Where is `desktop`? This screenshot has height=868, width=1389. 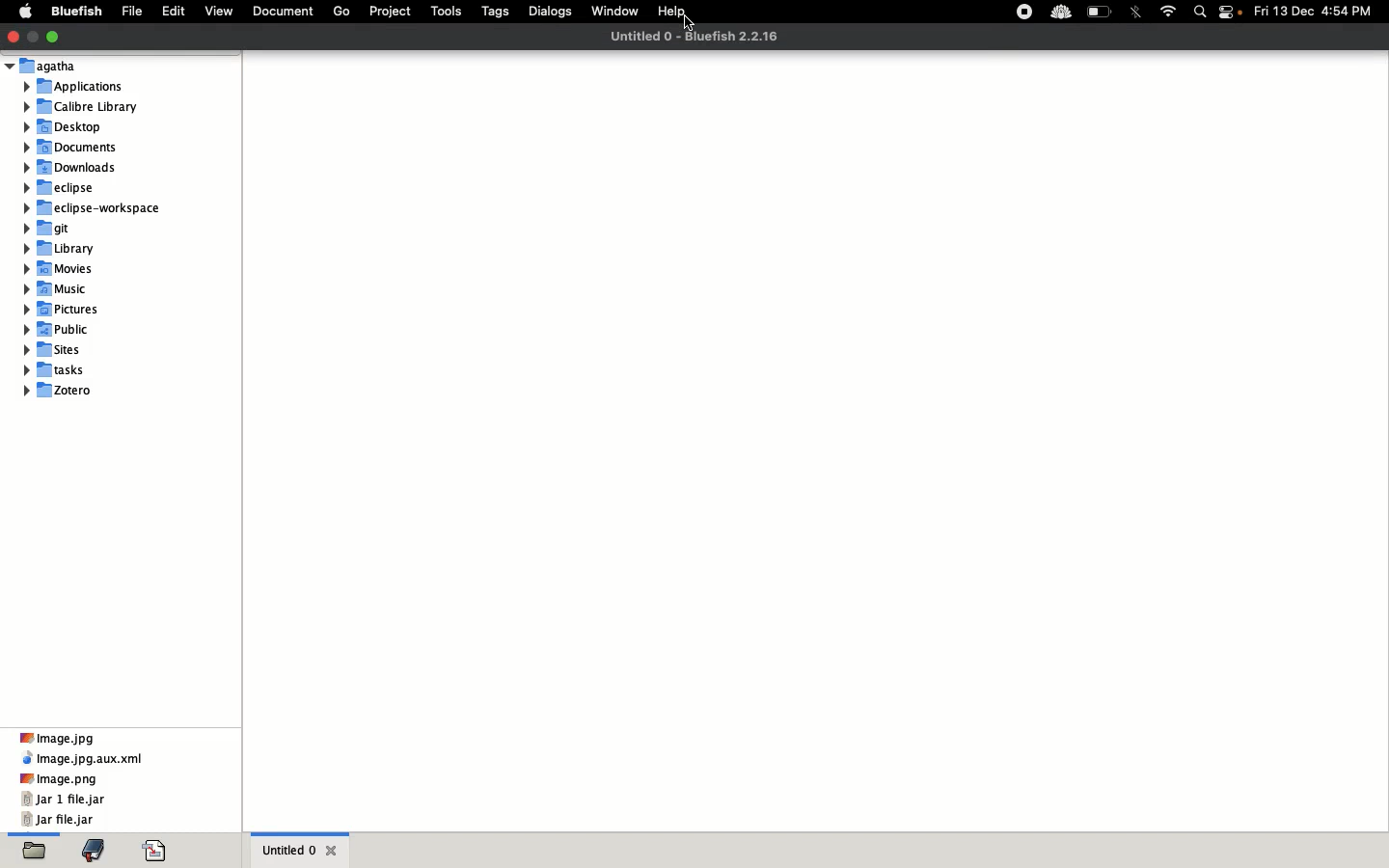
desktop is located at coordinates (76, 129).